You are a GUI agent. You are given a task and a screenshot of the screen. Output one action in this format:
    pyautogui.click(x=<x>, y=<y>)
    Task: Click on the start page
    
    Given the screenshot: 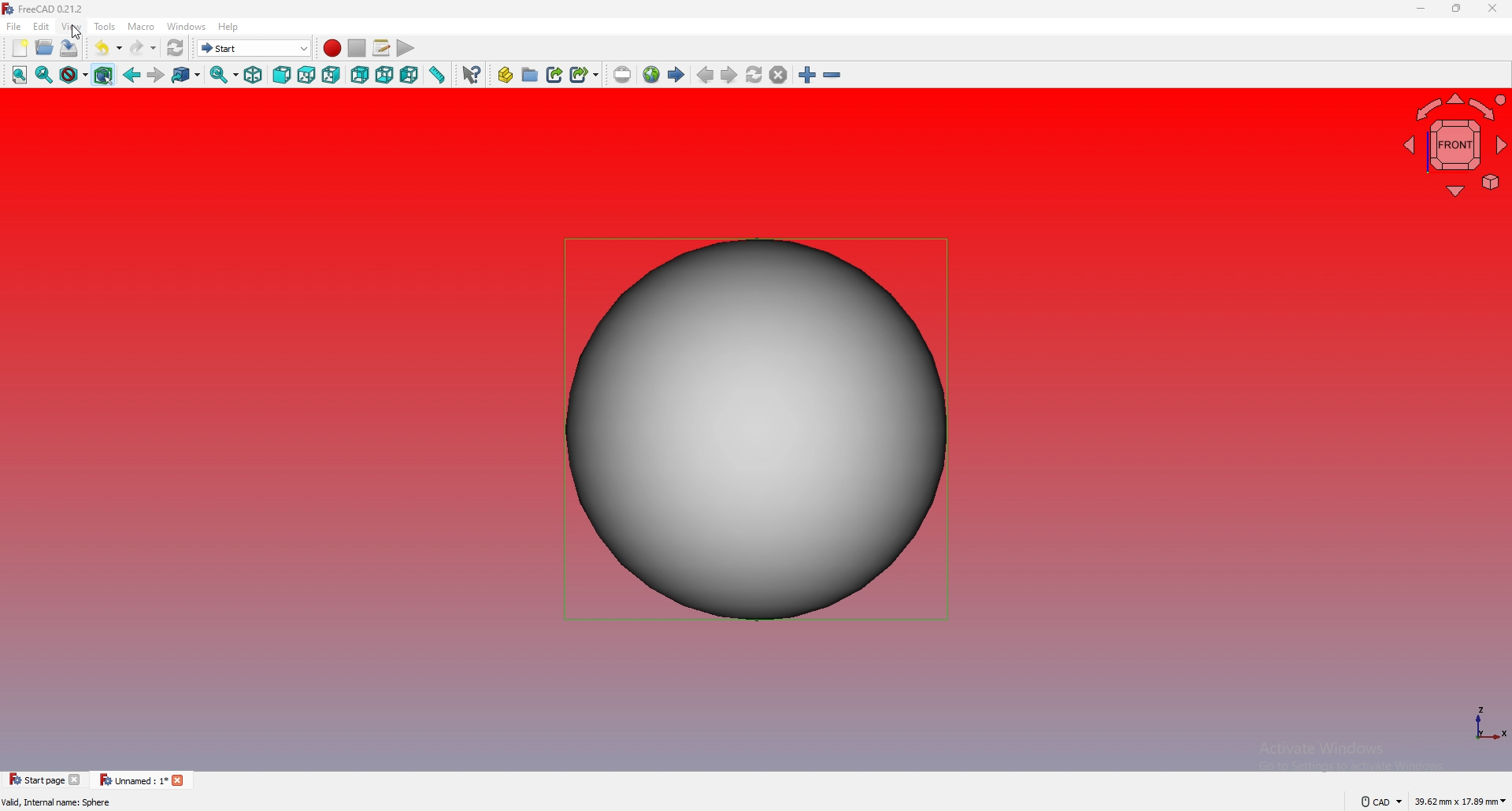 What is the action you would take?
    pyautogui.click(x=676, y=75)
    